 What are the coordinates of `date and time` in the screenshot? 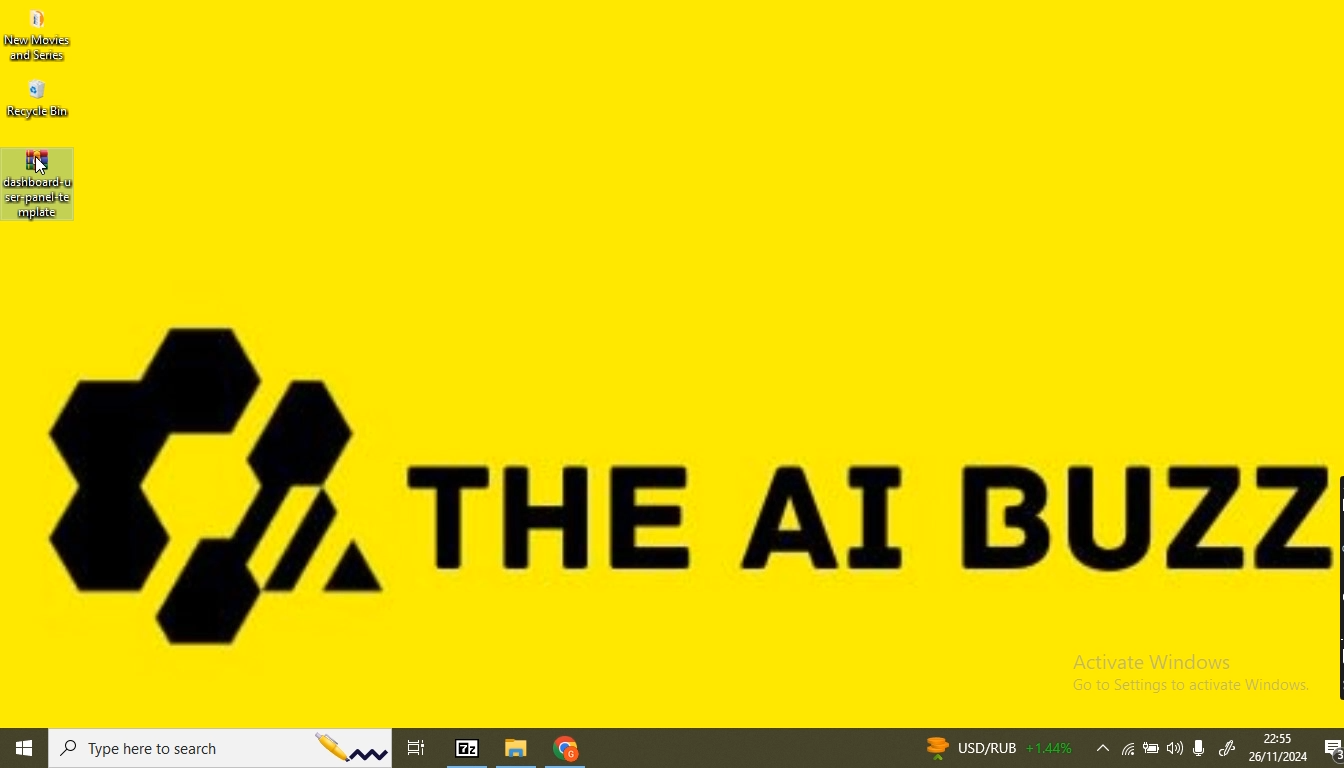 It's located at (1277, 748).